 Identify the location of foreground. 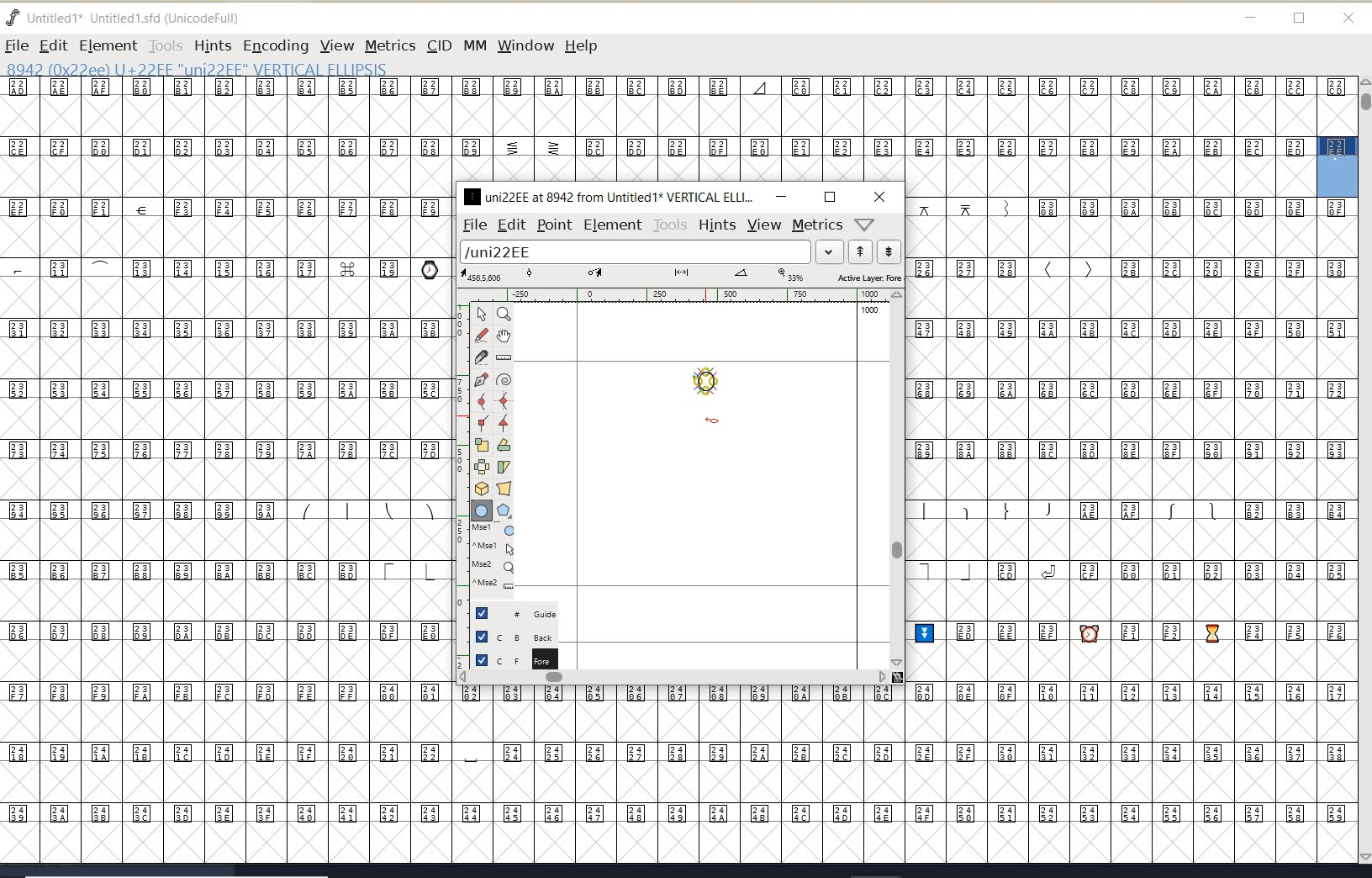
(514, 658).